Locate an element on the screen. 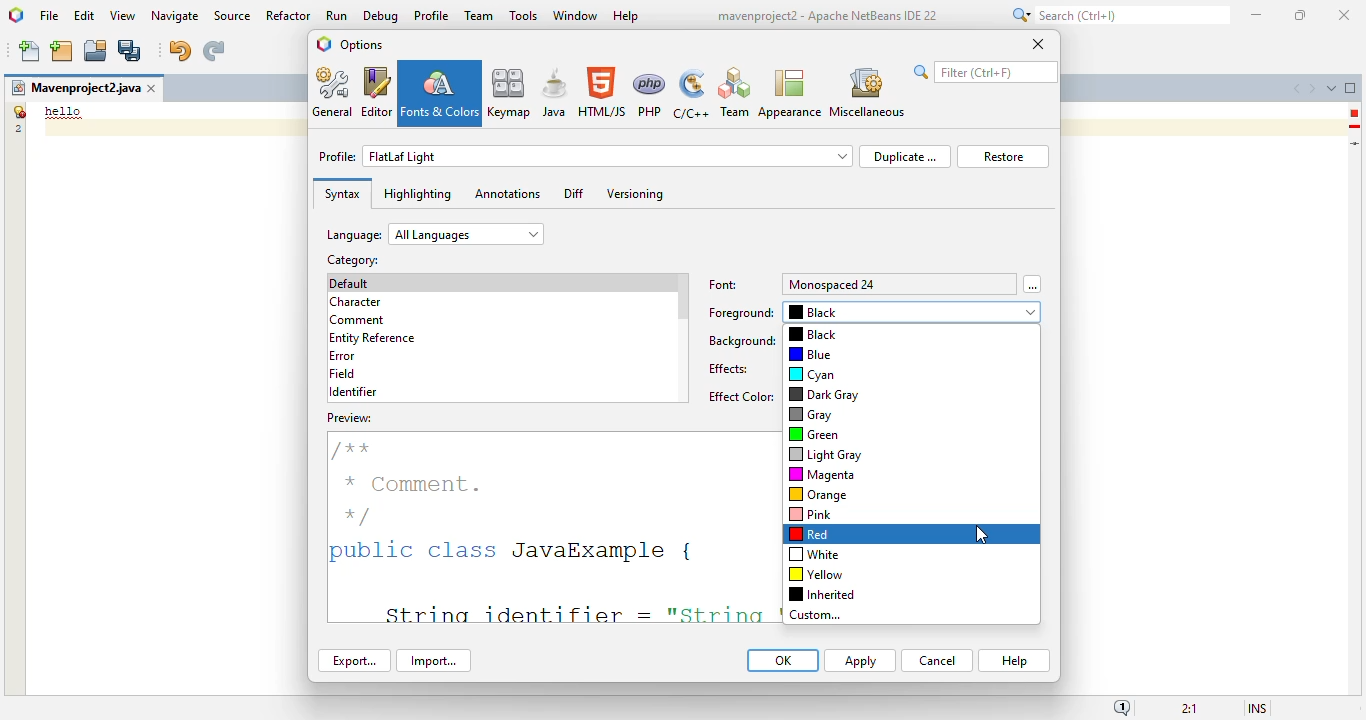 This screenshot has width=1366, height=720. entity reference is located at coordinates (373, 339).